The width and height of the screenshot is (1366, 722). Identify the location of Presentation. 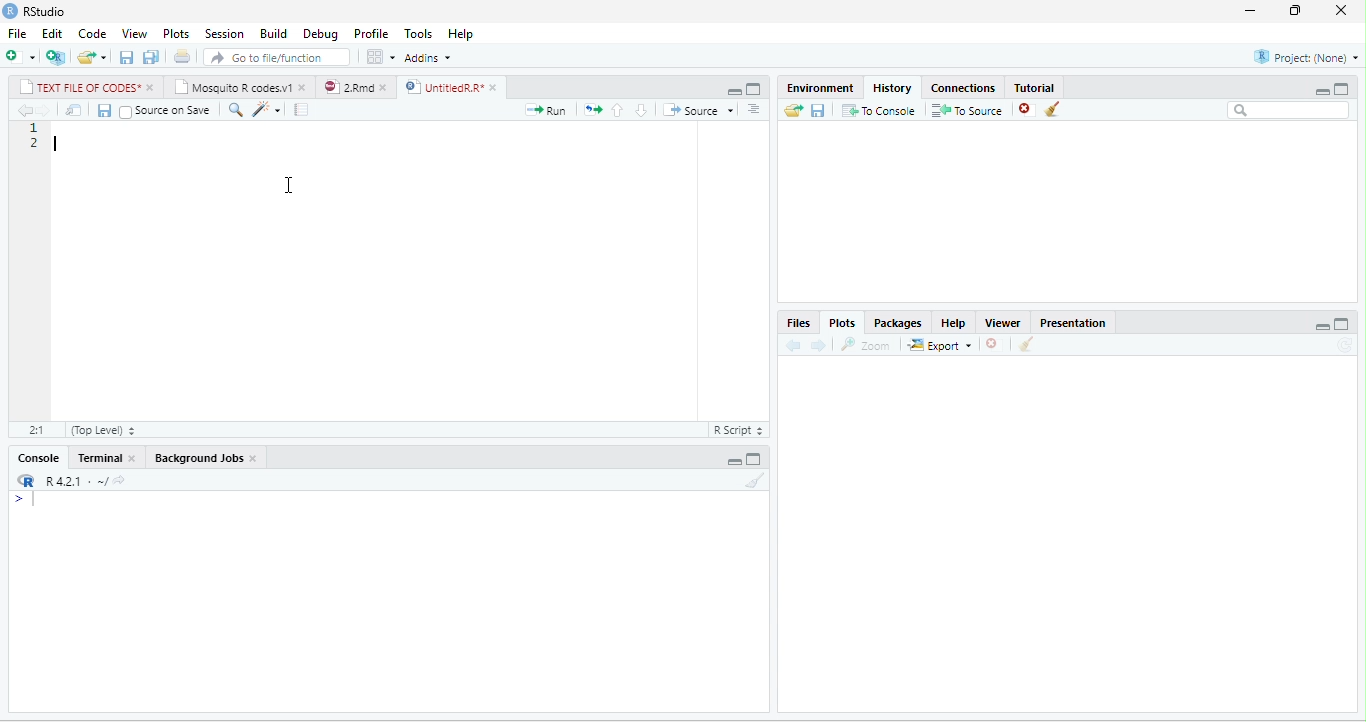
(1072, 323).